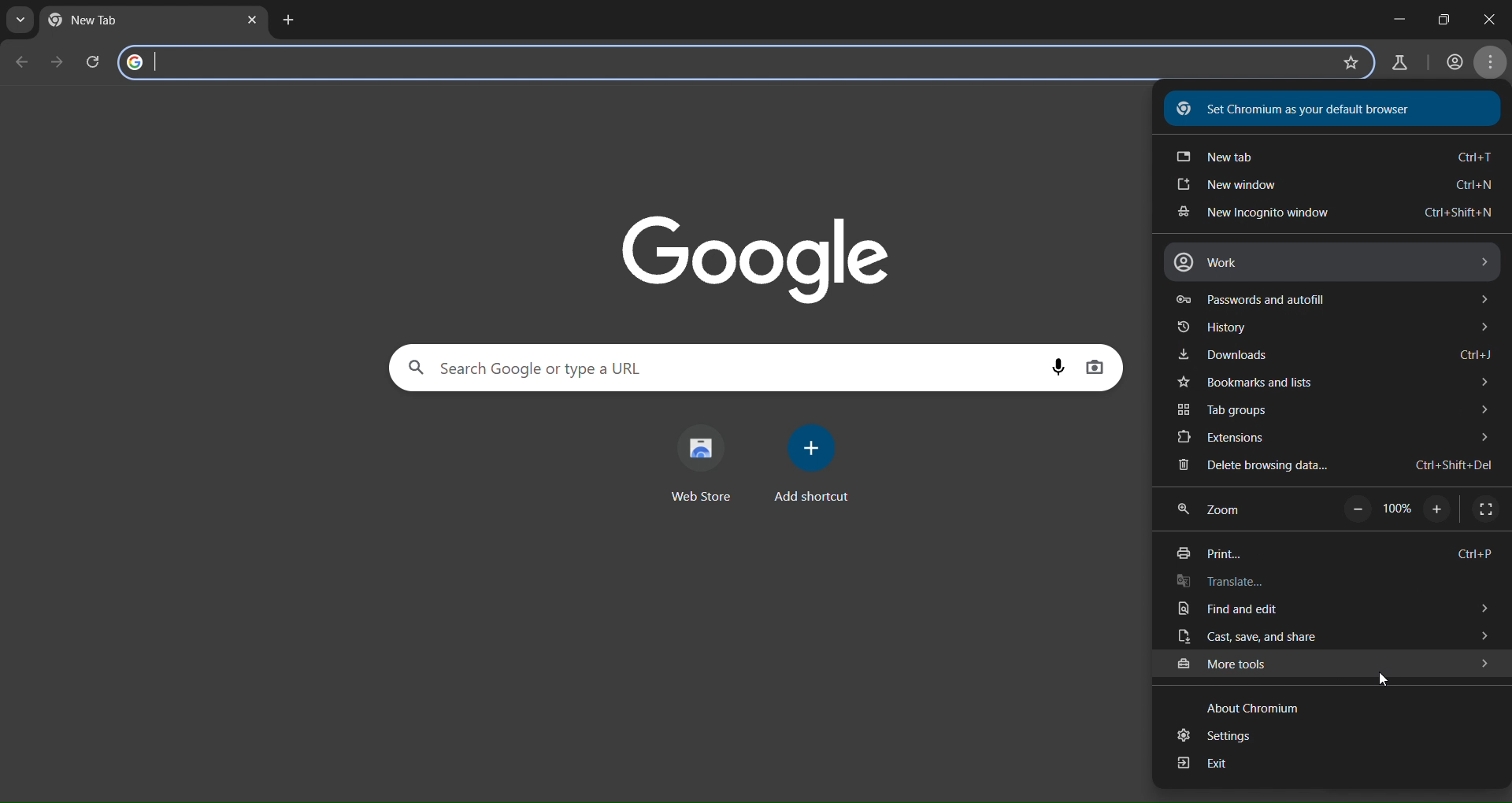 The image size is (1512, 803). Describe the element at coordinates (1350, 62) in the screenshot. I see `bookmark page` at that location.